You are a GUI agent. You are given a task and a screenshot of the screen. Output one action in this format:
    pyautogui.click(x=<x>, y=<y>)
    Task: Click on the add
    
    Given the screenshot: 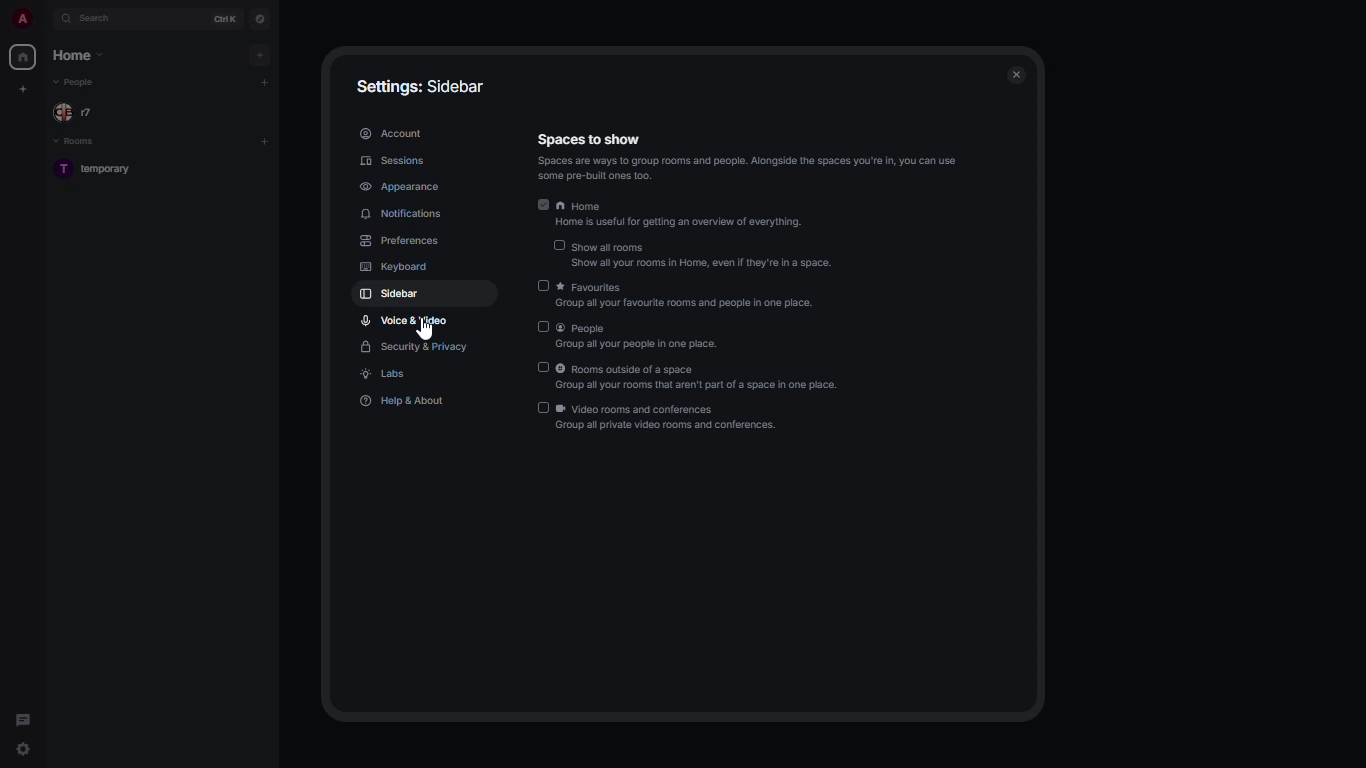 What is the action you would take?
    pyautogui.click(x=264, y=140)
    